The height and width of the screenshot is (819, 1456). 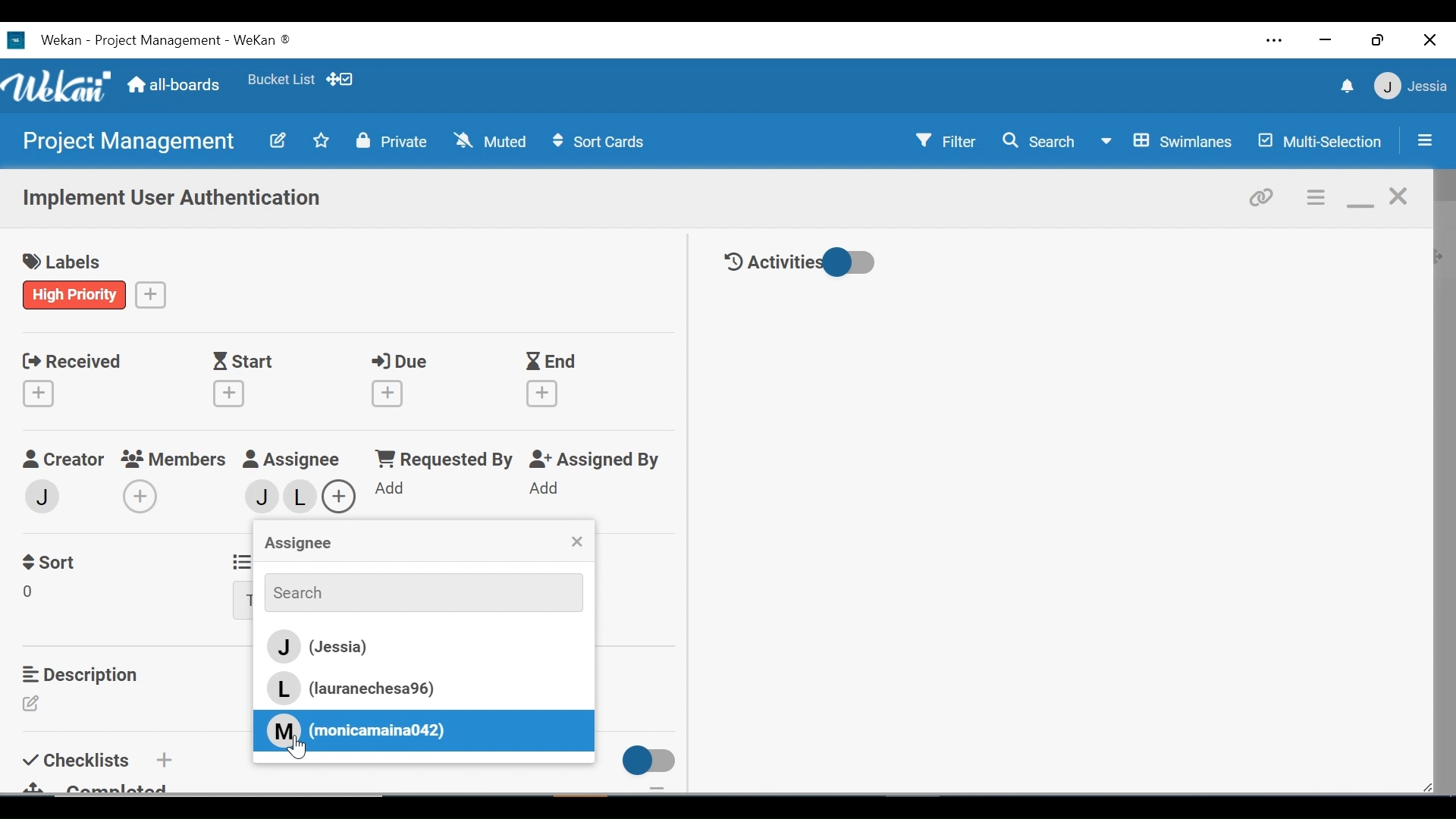 I want to click on high priority, so click(x=75, y=294).